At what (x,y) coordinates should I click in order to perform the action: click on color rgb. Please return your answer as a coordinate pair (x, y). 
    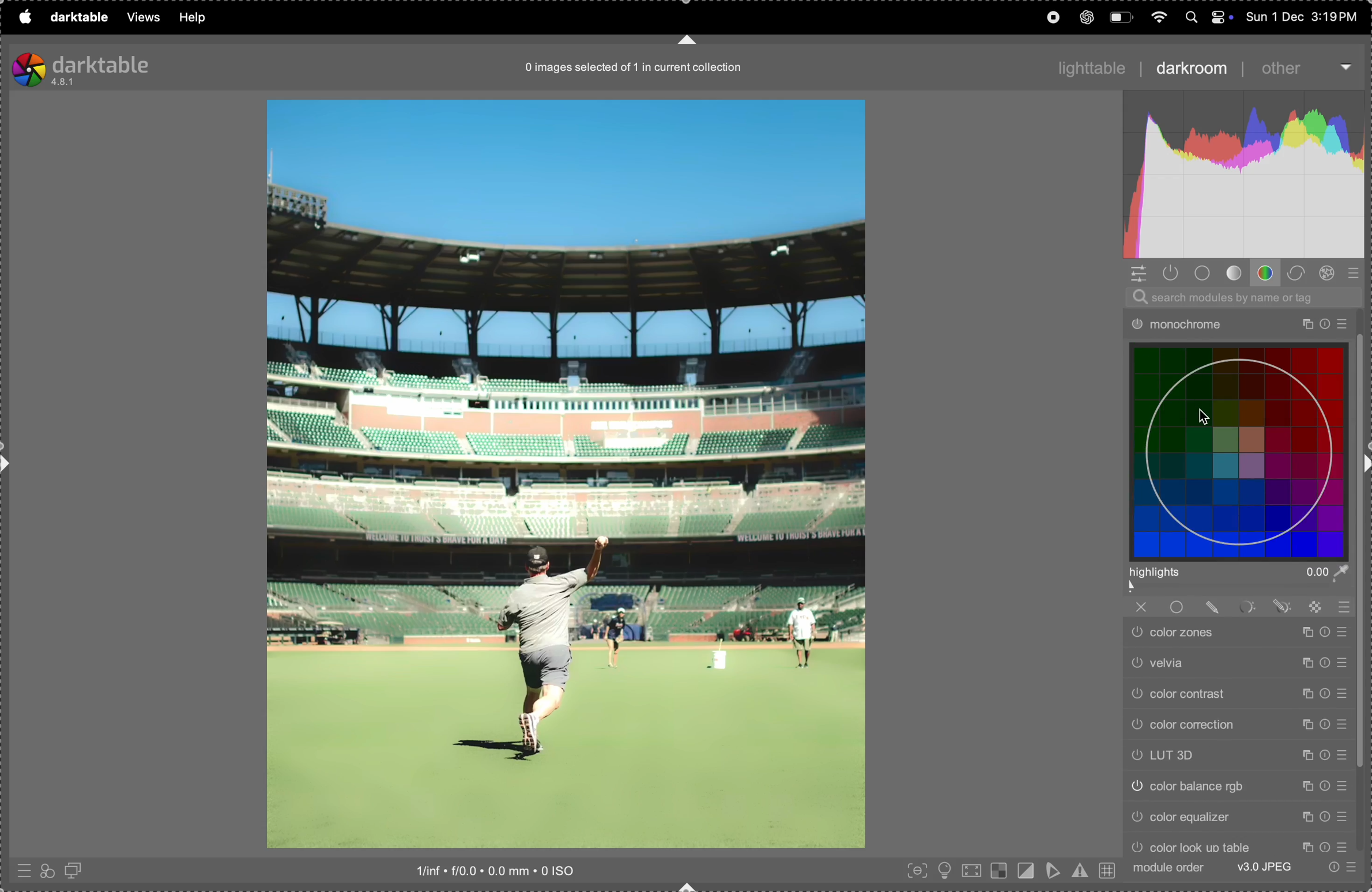
    Looking at the image, I should click on (1238, 786).